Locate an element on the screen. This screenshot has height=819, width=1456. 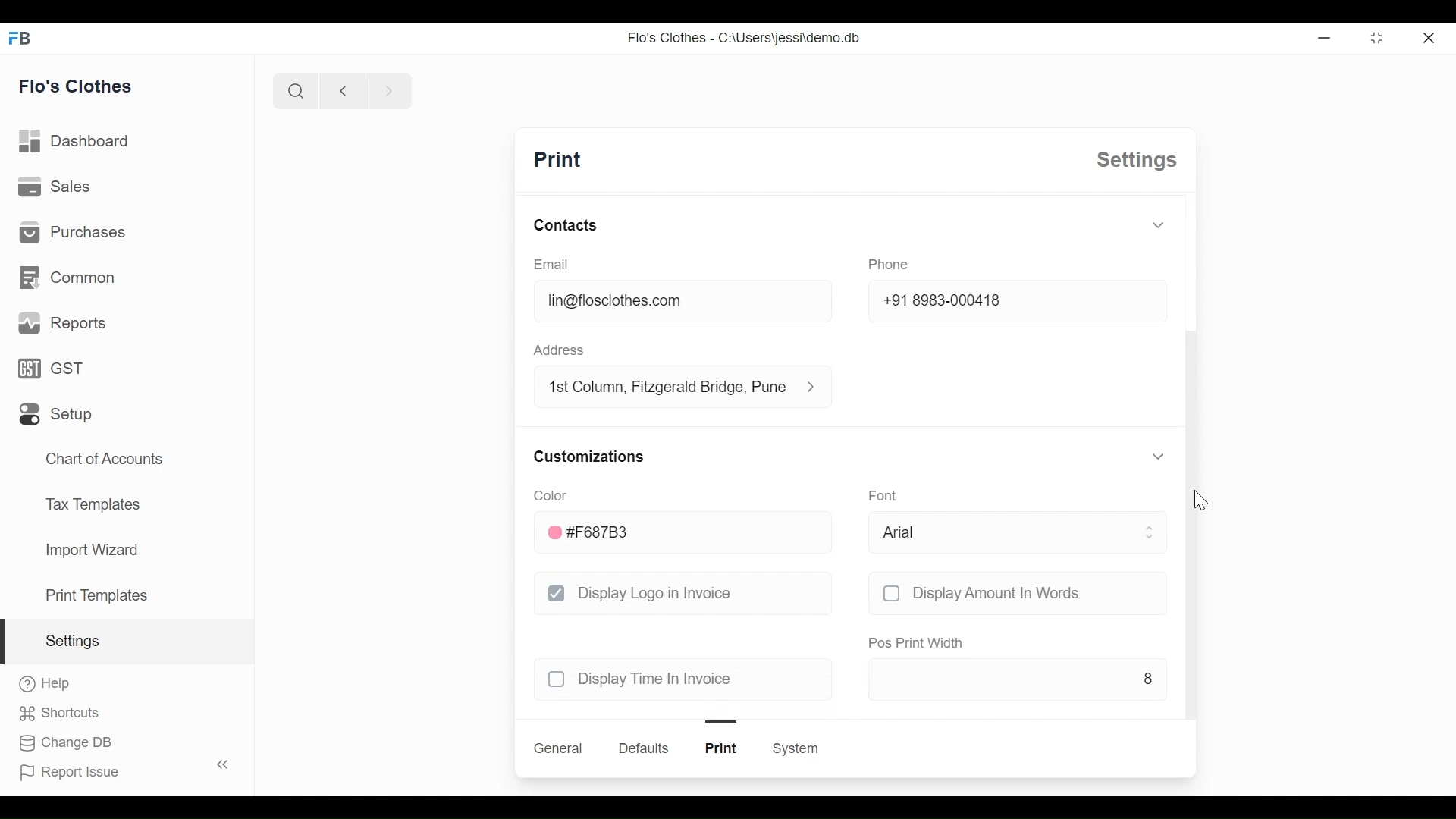
font is located at coordinates (883, 494).